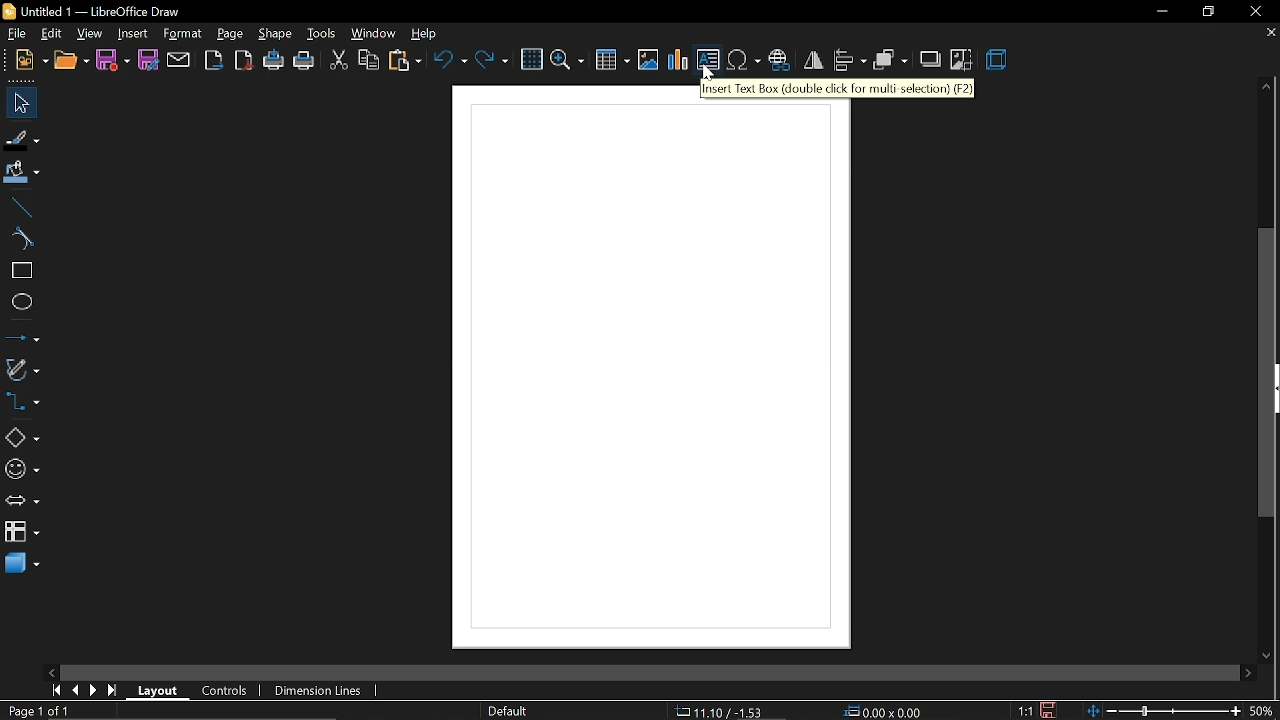  What do you see at coordinates (1266, 711) in the screenshot?
I see `current zoom` at bounding box center [1266, 711].